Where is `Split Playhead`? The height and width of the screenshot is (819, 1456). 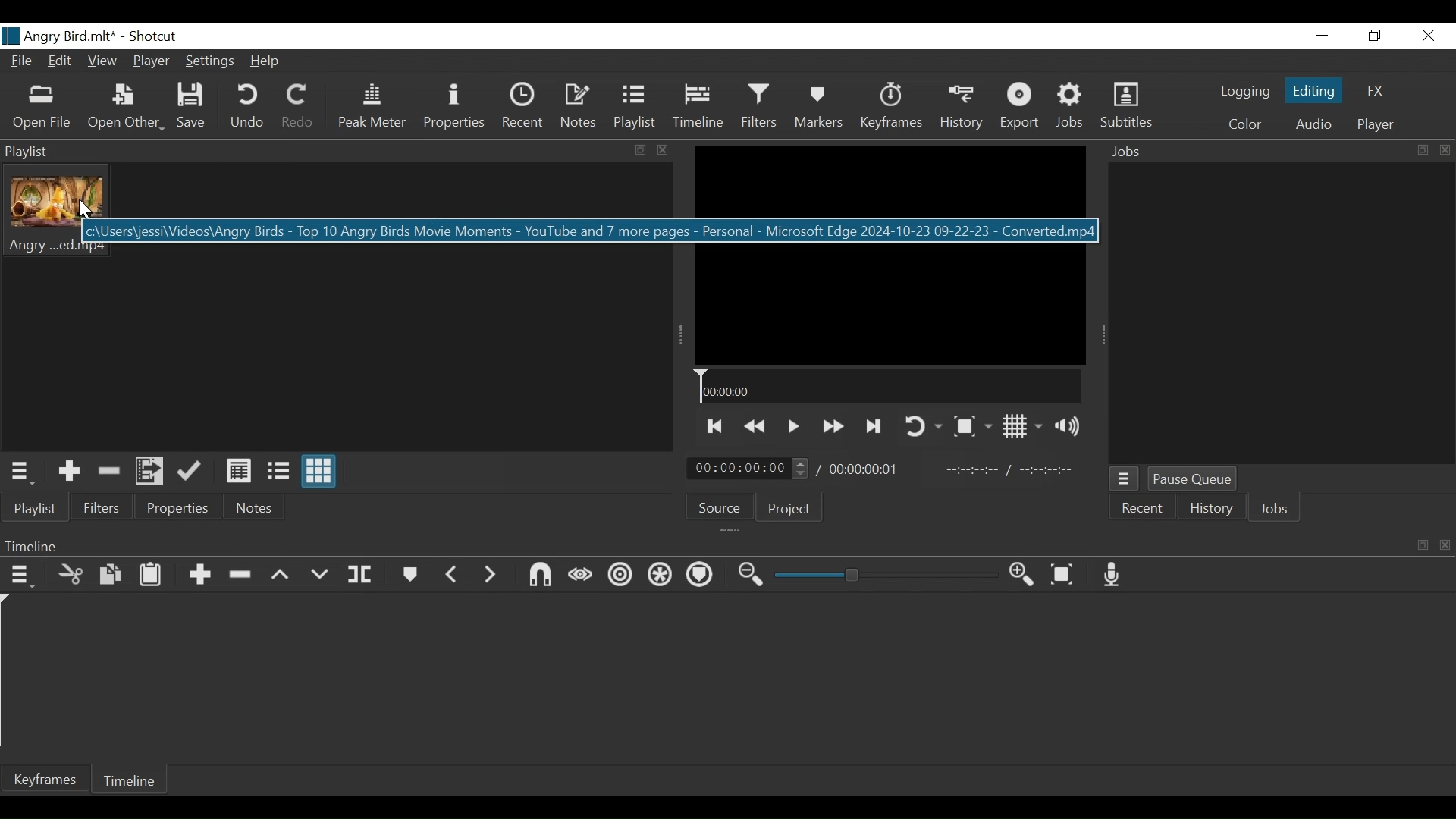
Split Playhead is located at coordinates (359, 575).